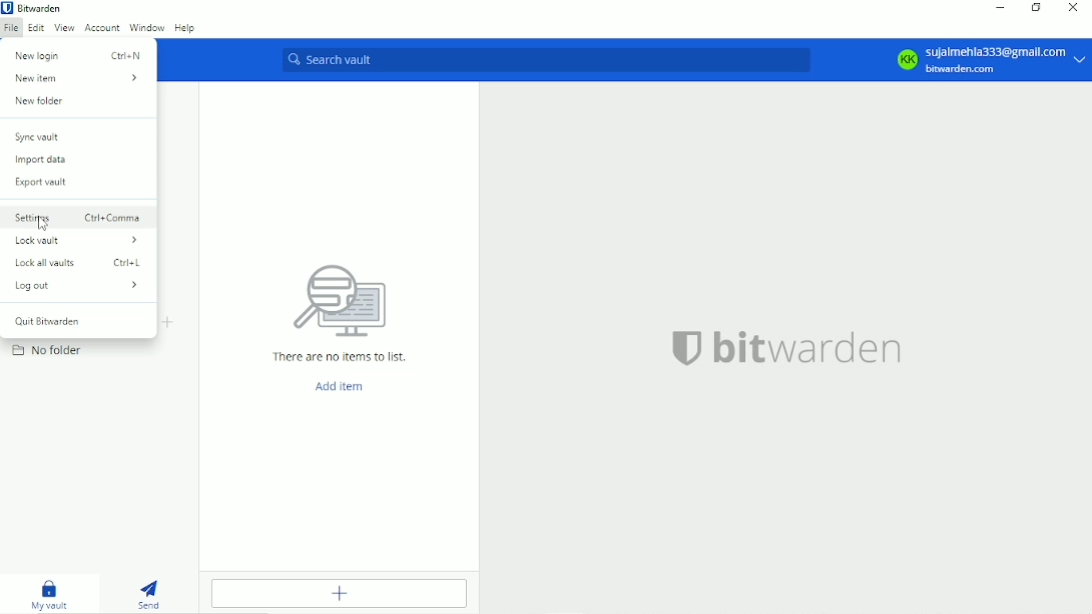 The image size is (1092, 614). I want to click on Account, so click(103, 28).